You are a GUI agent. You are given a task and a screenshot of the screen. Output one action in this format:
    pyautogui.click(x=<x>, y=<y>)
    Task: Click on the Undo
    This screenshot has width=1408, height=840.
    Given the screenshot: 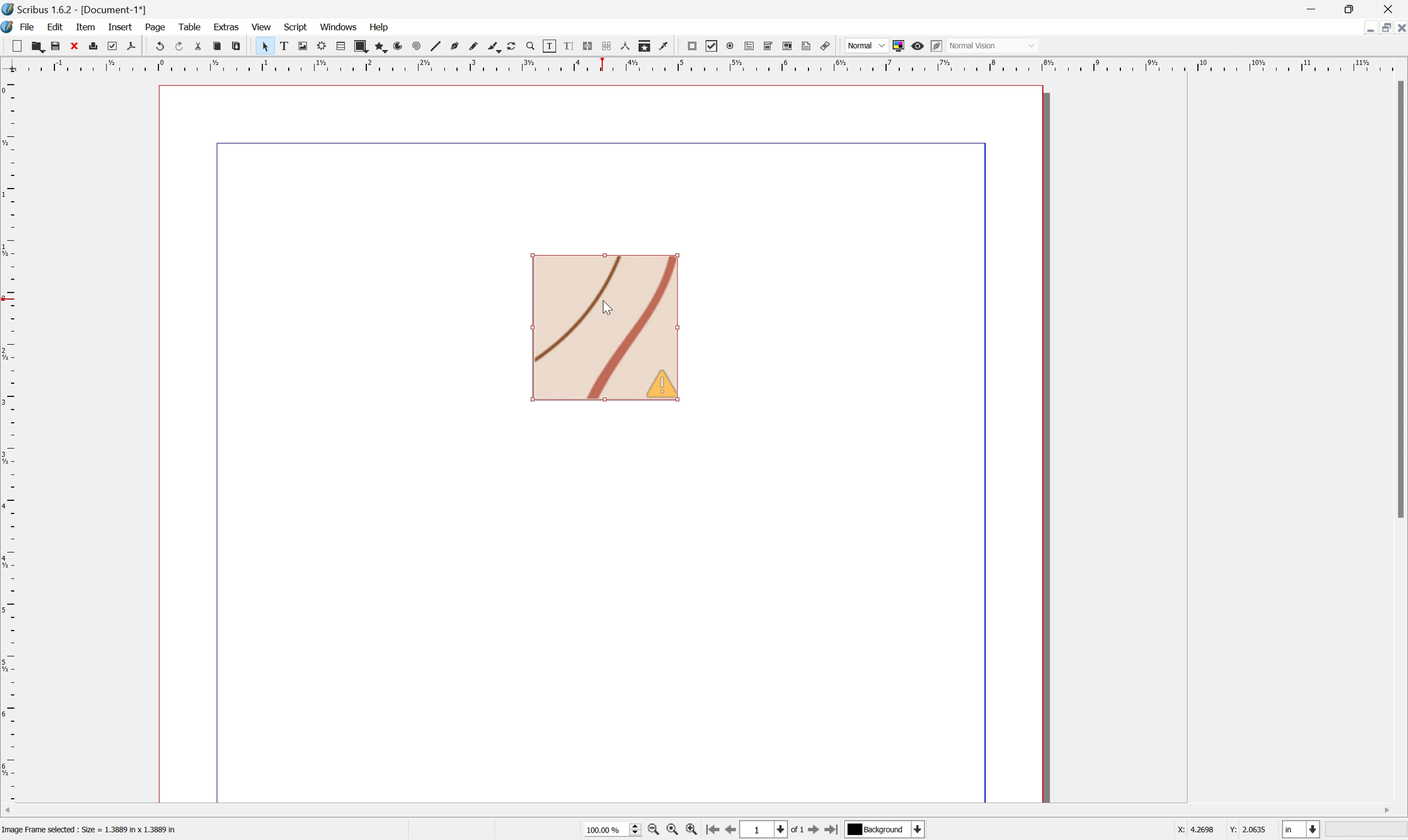 What is the action you would take?
    pyautogui.click(x=161, y=45)
    